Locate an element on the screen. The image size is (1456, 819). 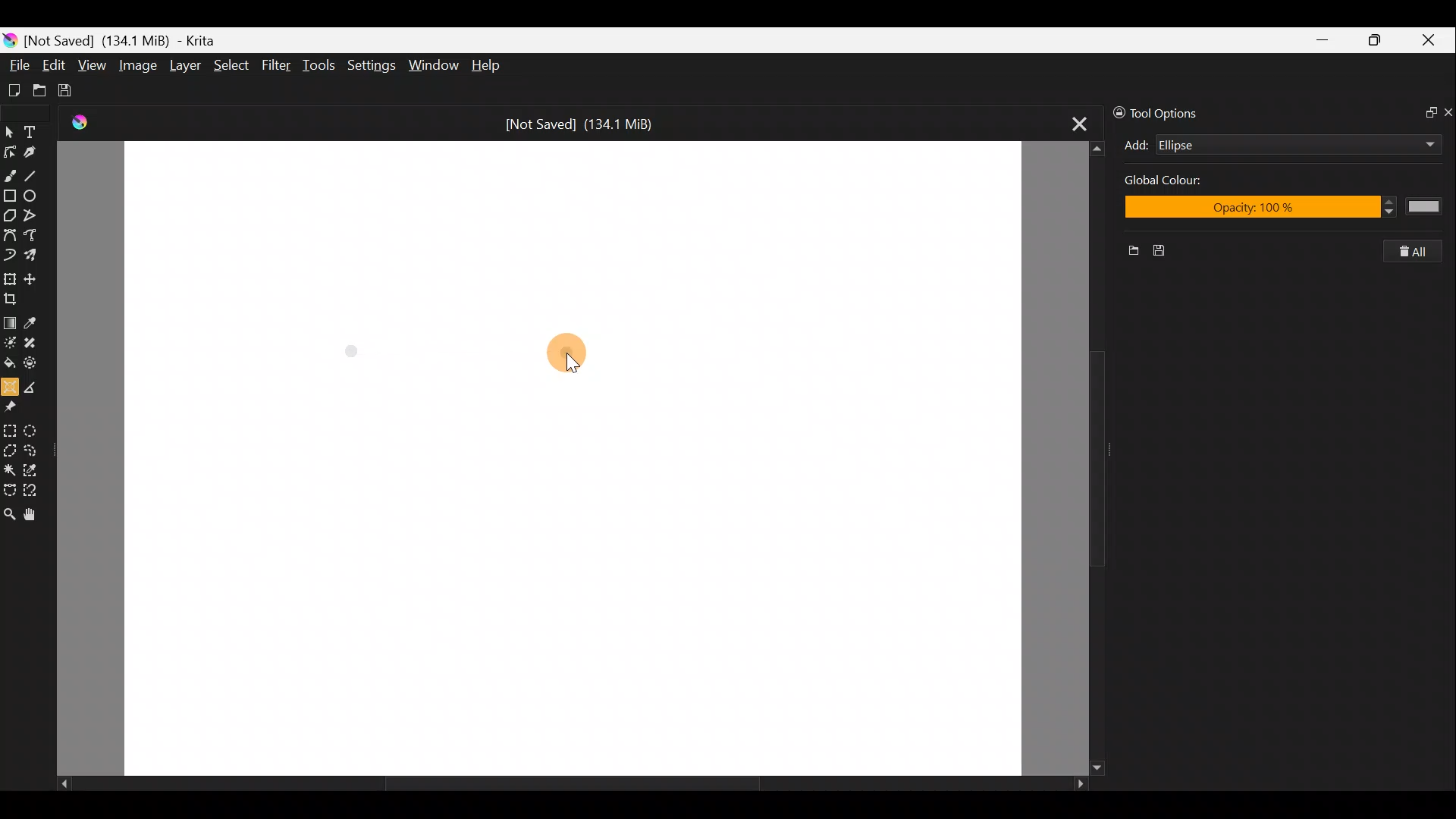
Enclose and fill tool is located at coordinates (37, 366).